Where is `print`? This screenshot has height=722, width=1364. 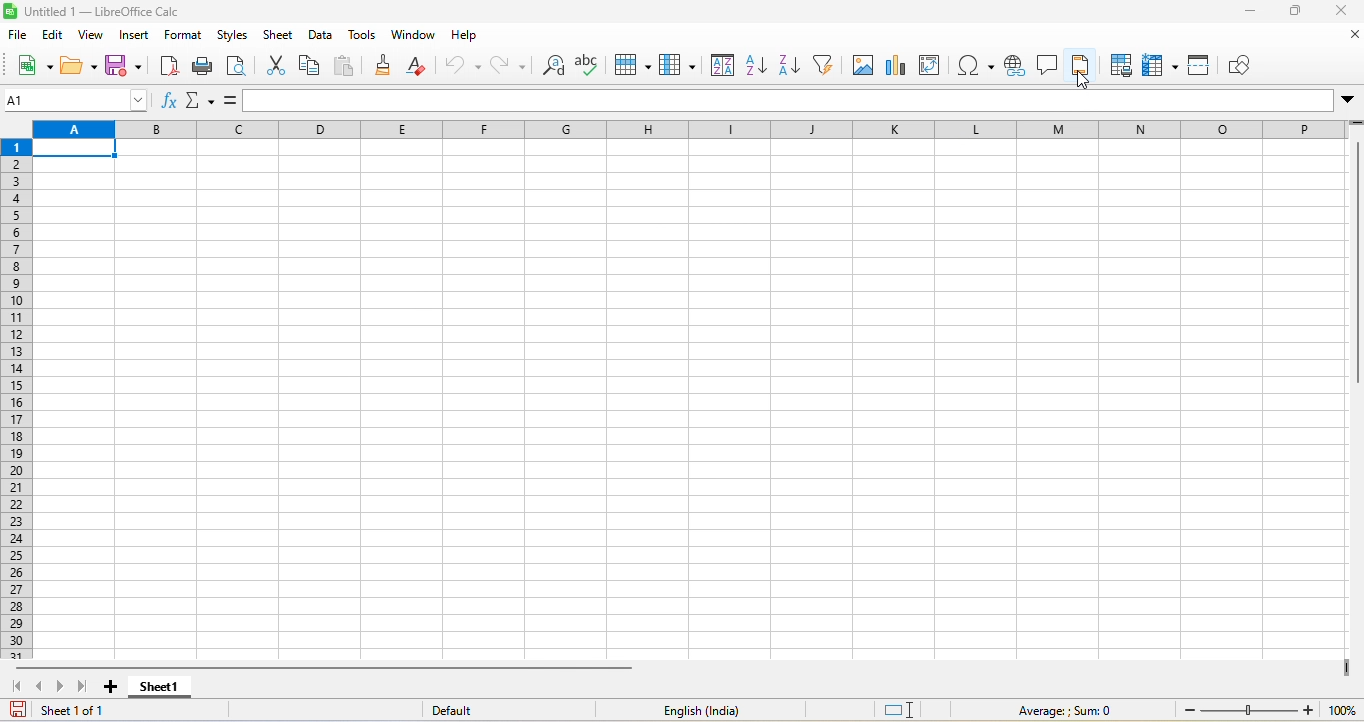
print is located at coordinates (206, 69).